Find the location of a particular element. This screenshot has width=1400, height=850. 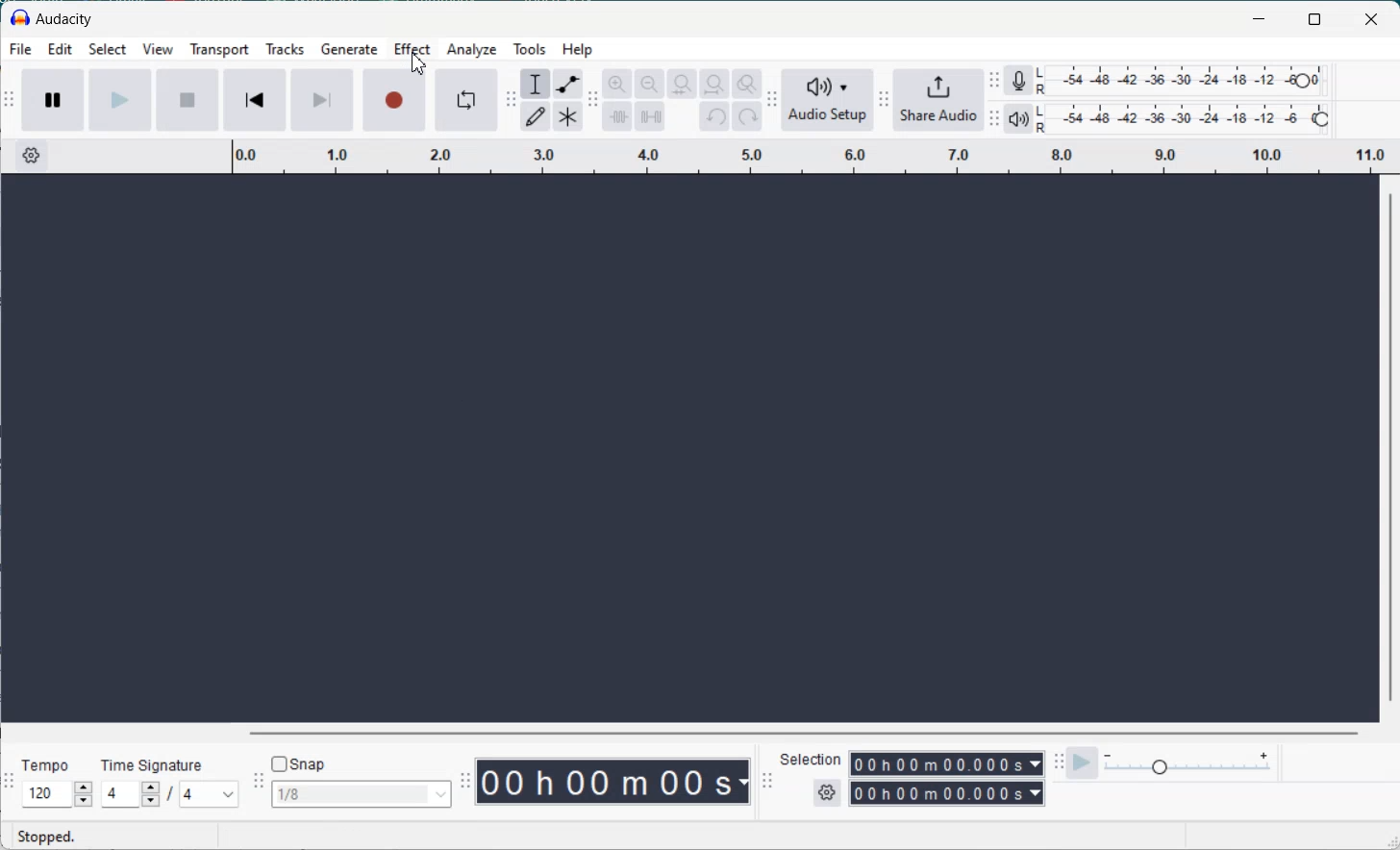

Fit selection to width is located at coordinates (682, 84).